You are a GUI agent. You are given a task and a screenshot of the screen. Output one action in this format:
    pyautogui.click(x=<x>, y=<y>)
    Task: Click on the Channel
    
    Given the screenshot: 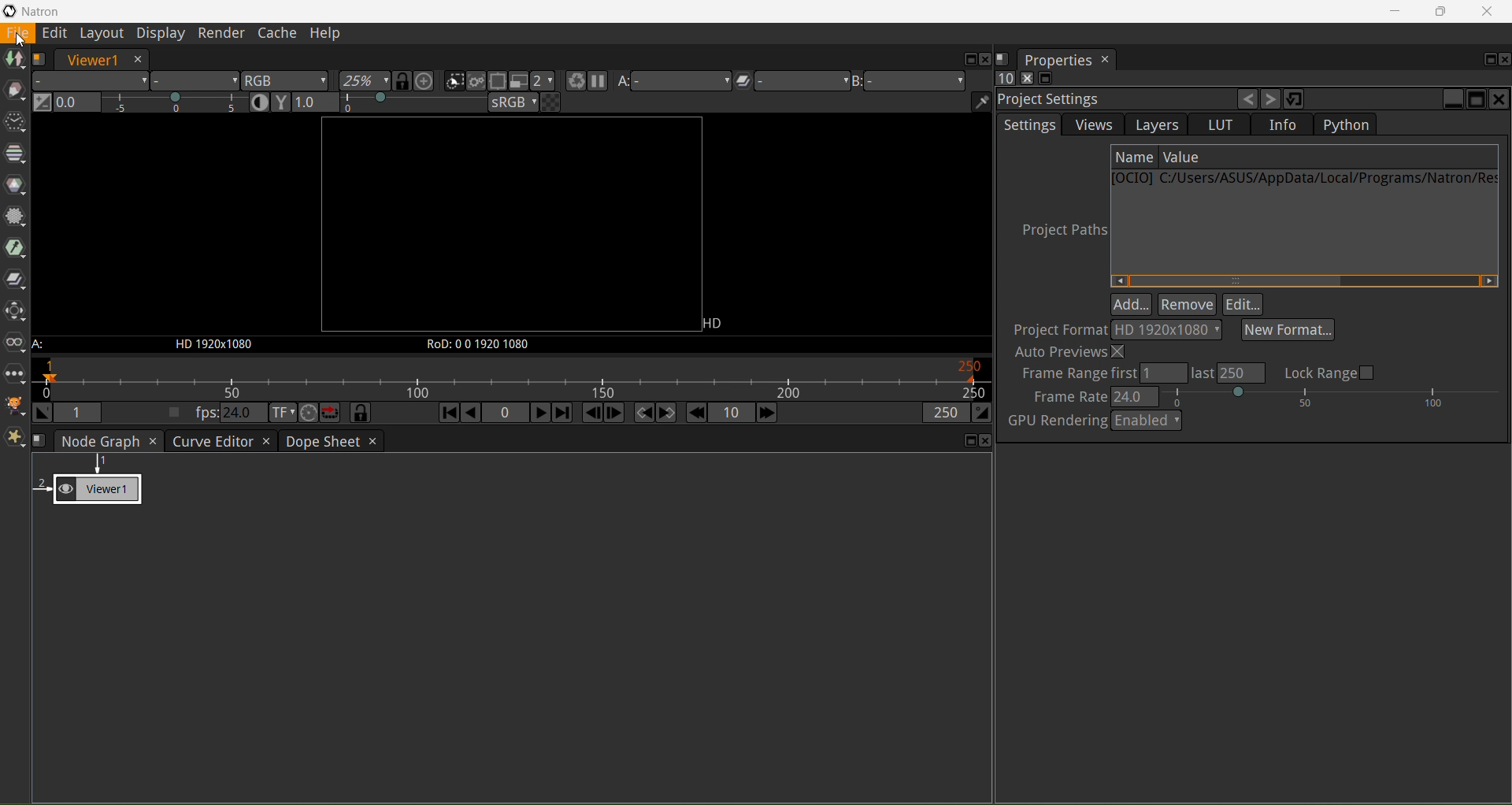 What is the action you would take?
    pyautogui.click(x=16, y=154)
    